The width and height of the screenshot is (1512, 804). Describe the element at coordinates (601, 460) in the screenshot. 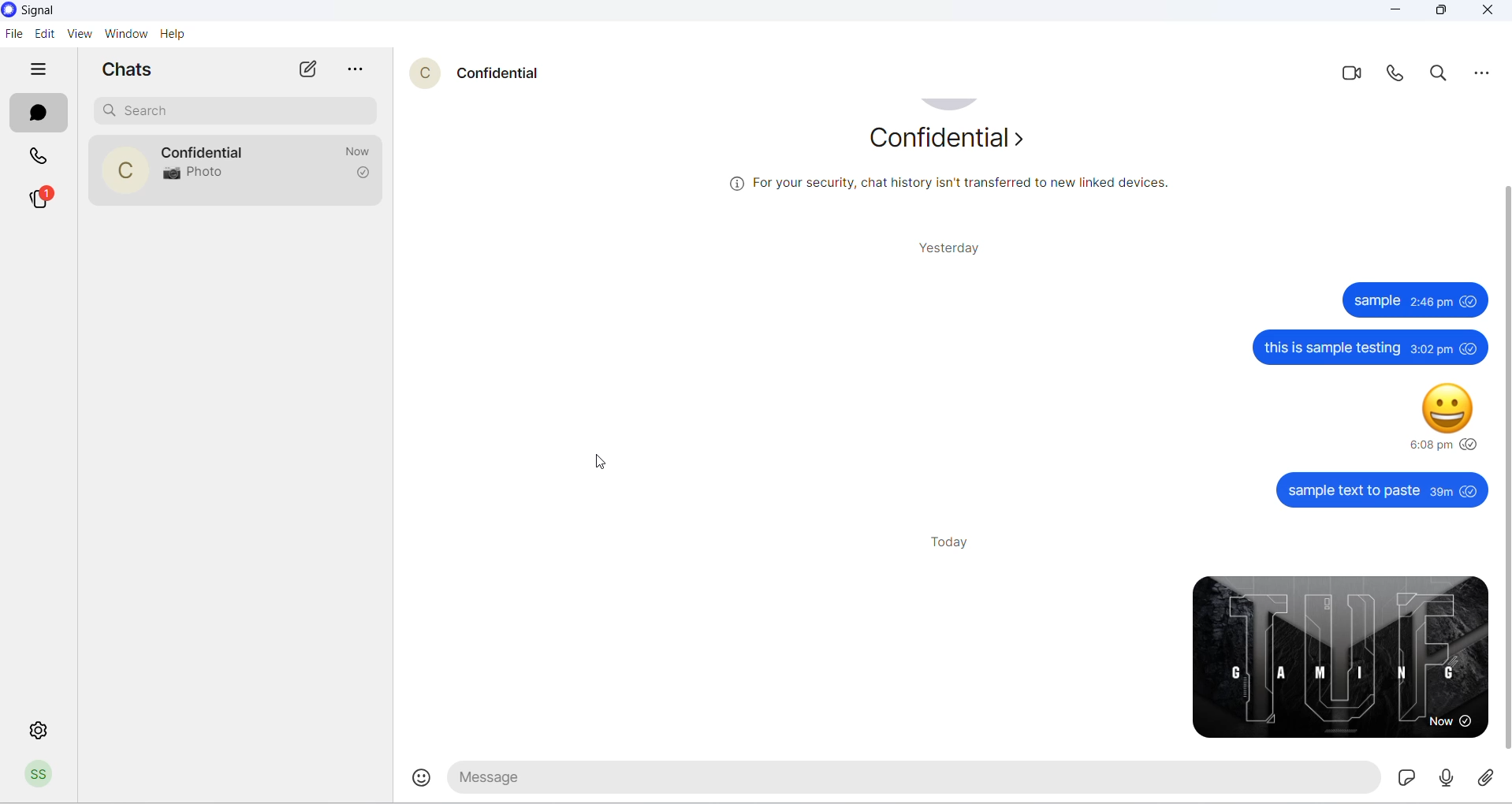

I see `cursor` at that location.